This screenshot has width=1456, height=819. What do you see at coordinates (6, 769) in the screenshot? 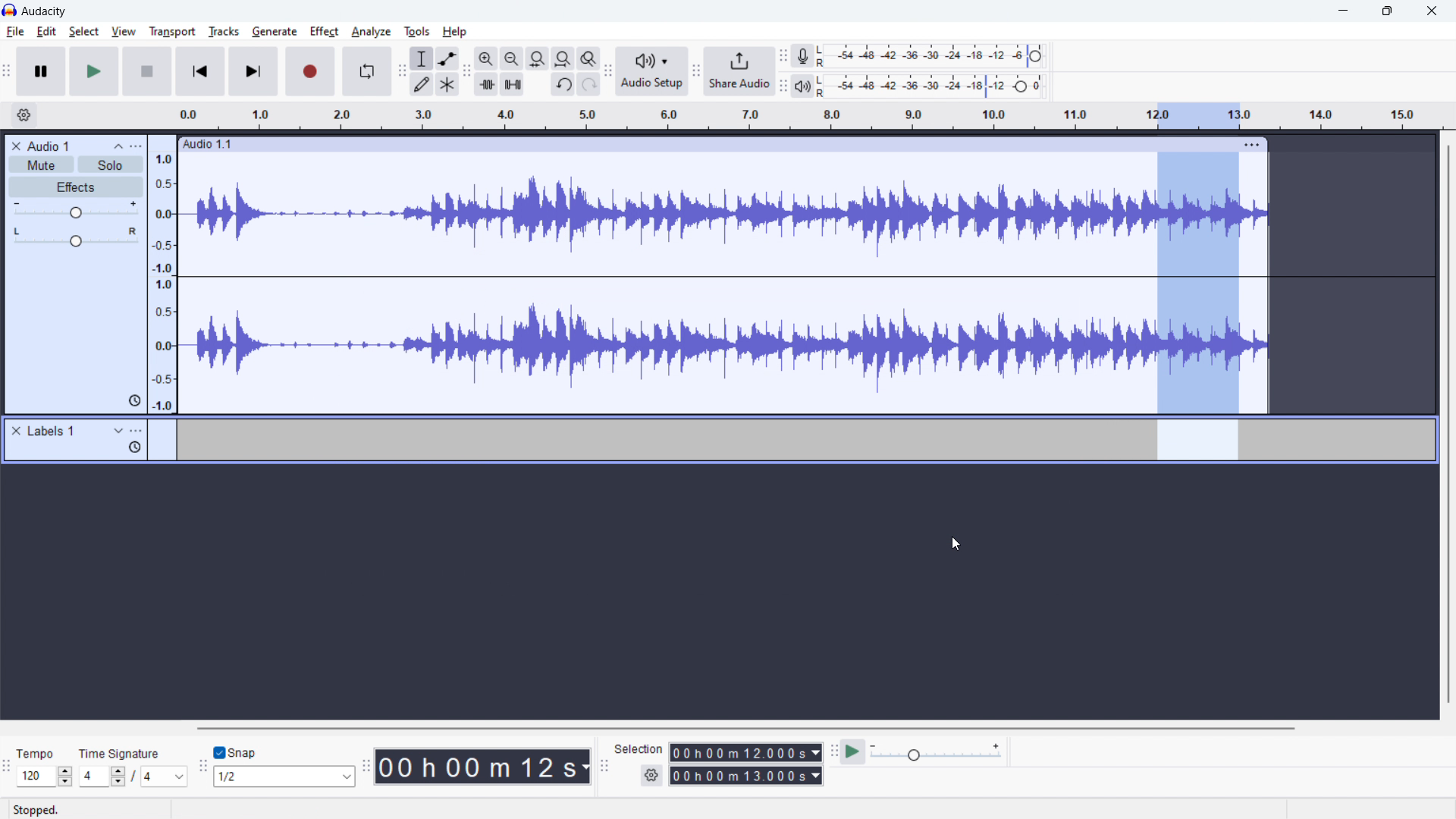
I see `time signature toolbar` at bounding box center [6, 769].